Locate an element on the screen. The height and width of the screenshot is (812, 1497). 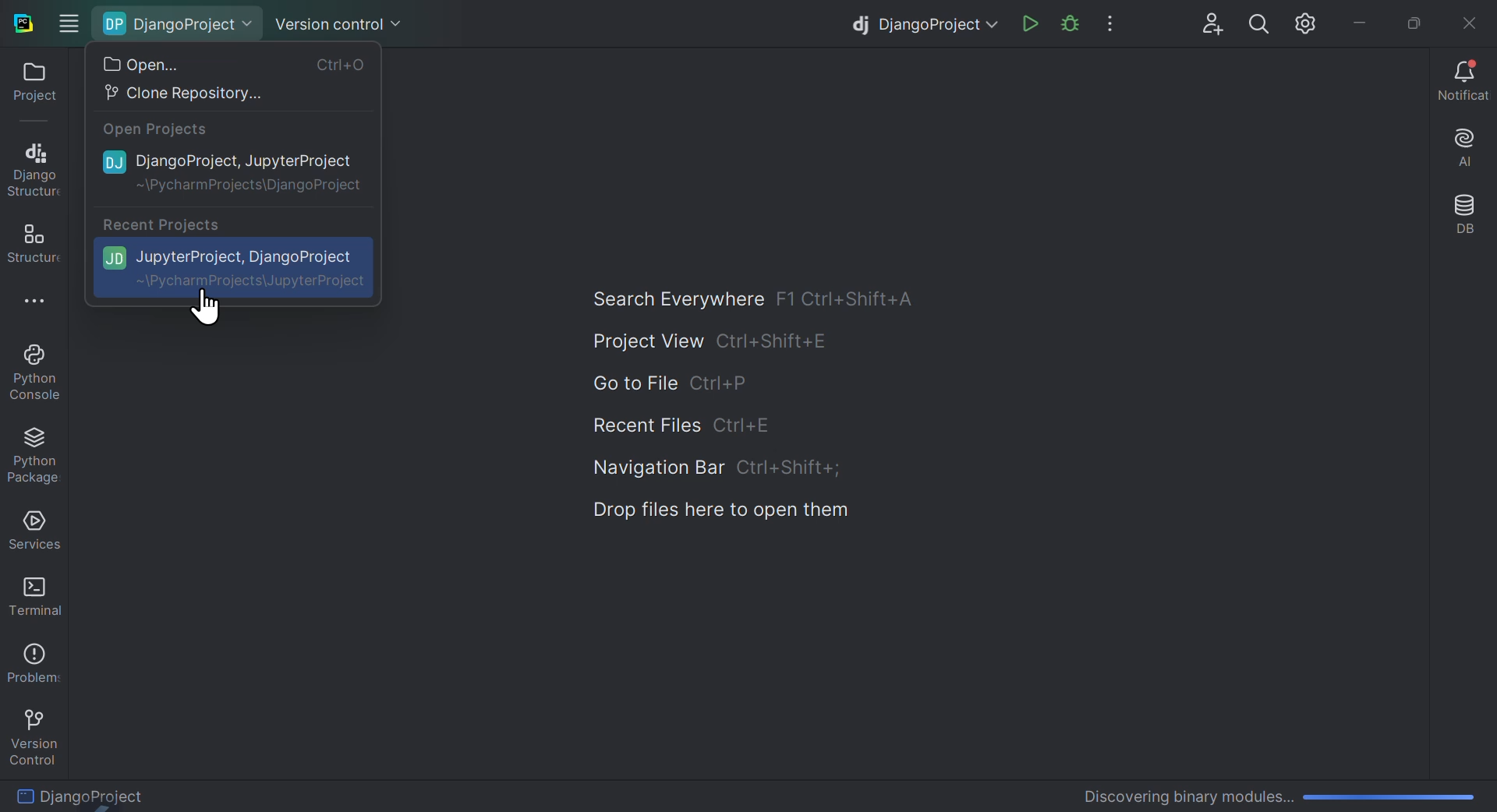
shortcut is located at coordinates (773, 341).